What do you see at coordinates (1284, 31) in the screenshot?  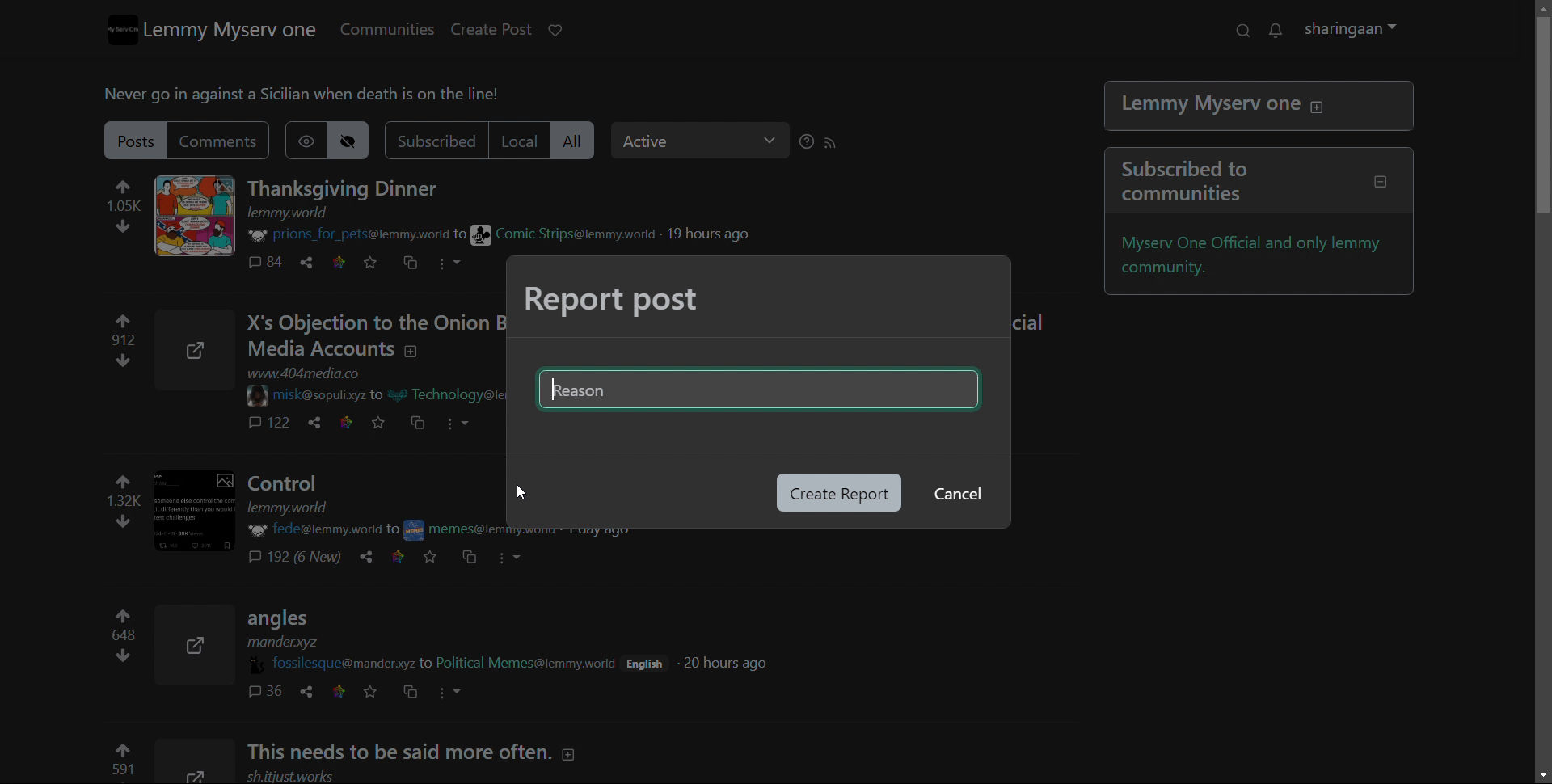 I see `notifications` at bounding box center [1284, 31].